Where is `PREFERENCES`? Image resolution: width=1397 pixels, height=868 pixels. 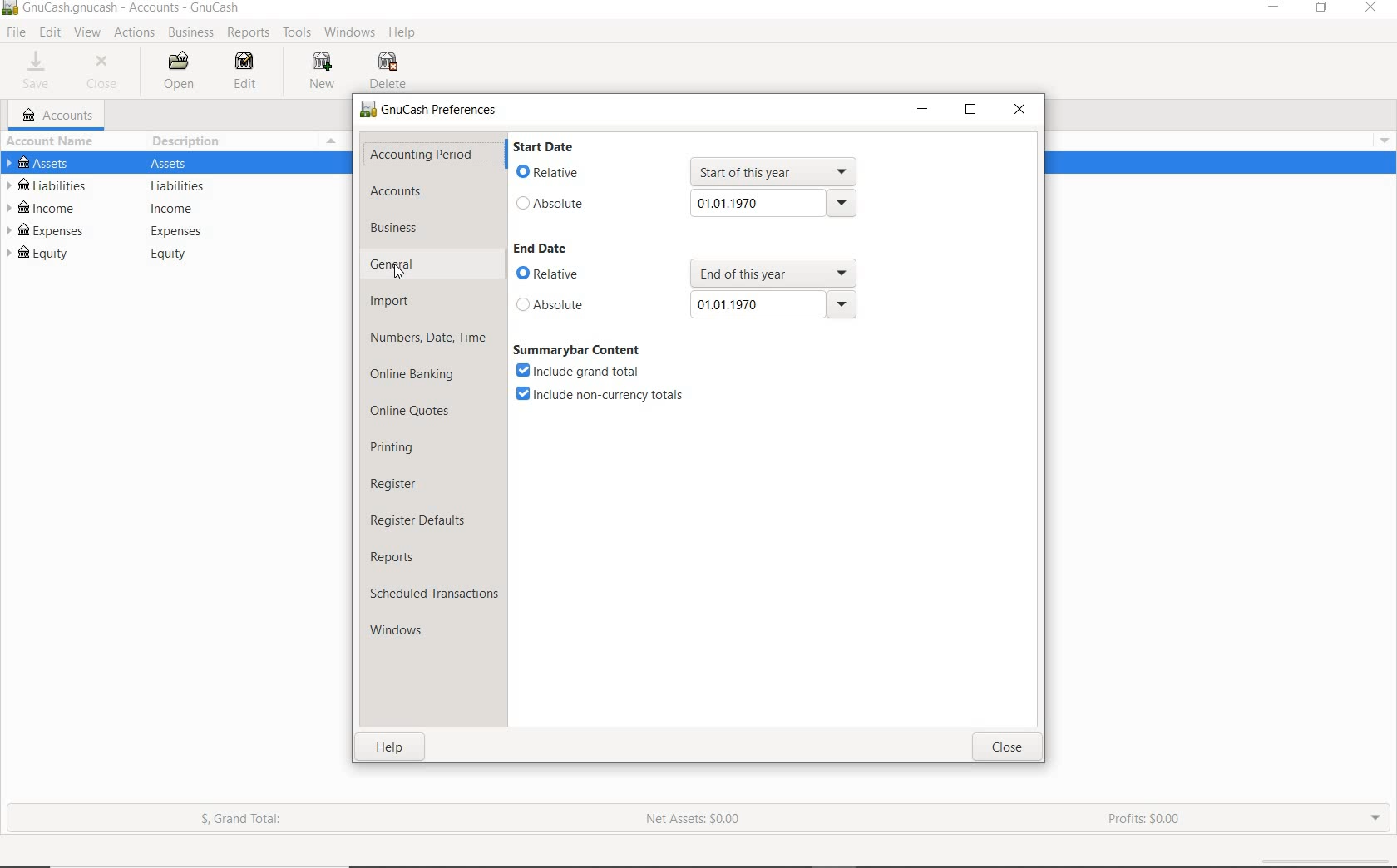
PREFERENCES is located at coordinates (427, 111).